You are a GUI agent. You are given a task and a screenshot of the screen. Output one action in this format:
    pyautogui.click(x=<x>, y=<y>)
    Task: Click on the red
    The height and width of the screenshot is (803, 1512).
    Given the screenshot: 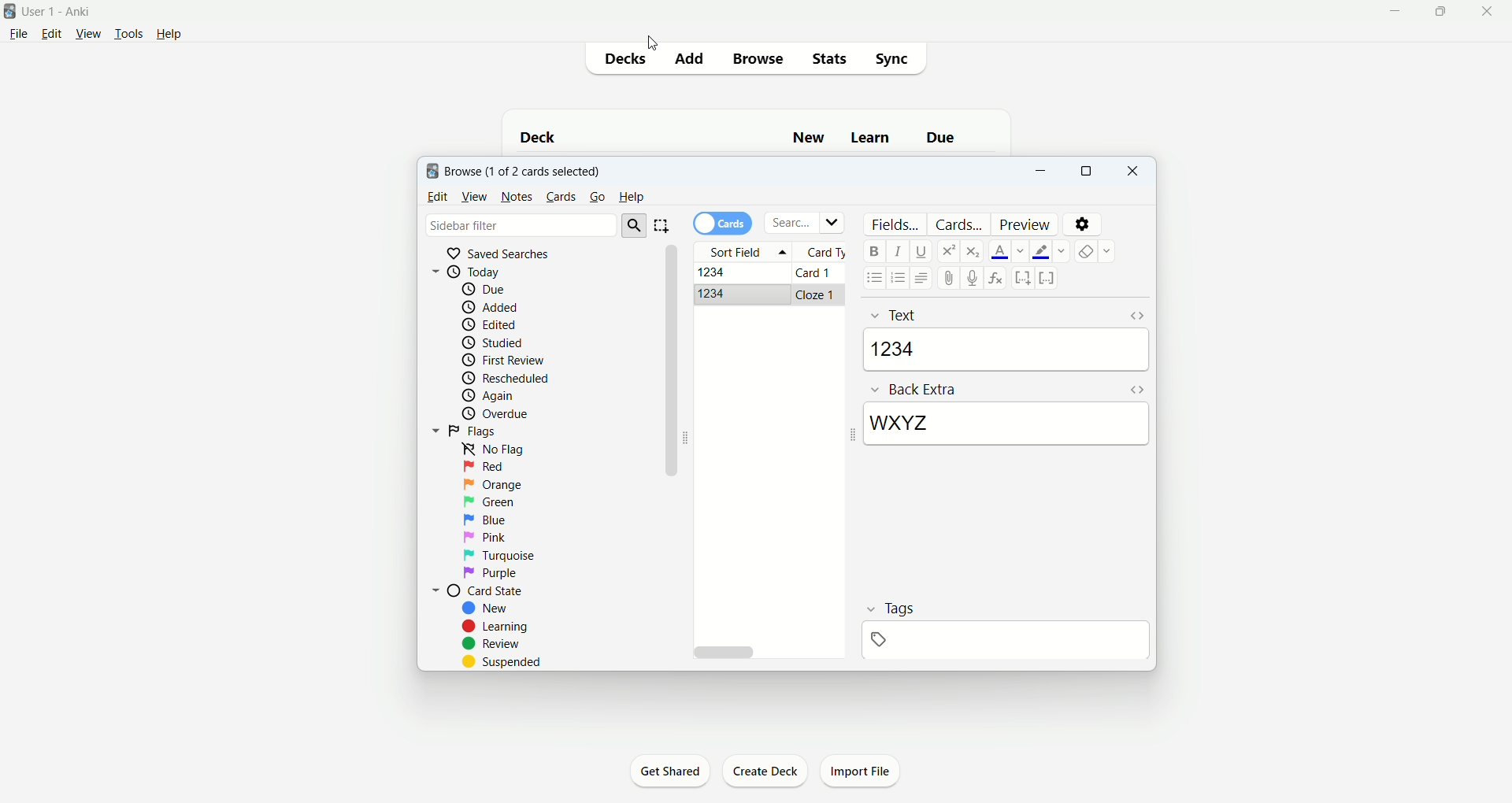 What is the action you would take?
    pyautogui.click(x=484, y=466)
    